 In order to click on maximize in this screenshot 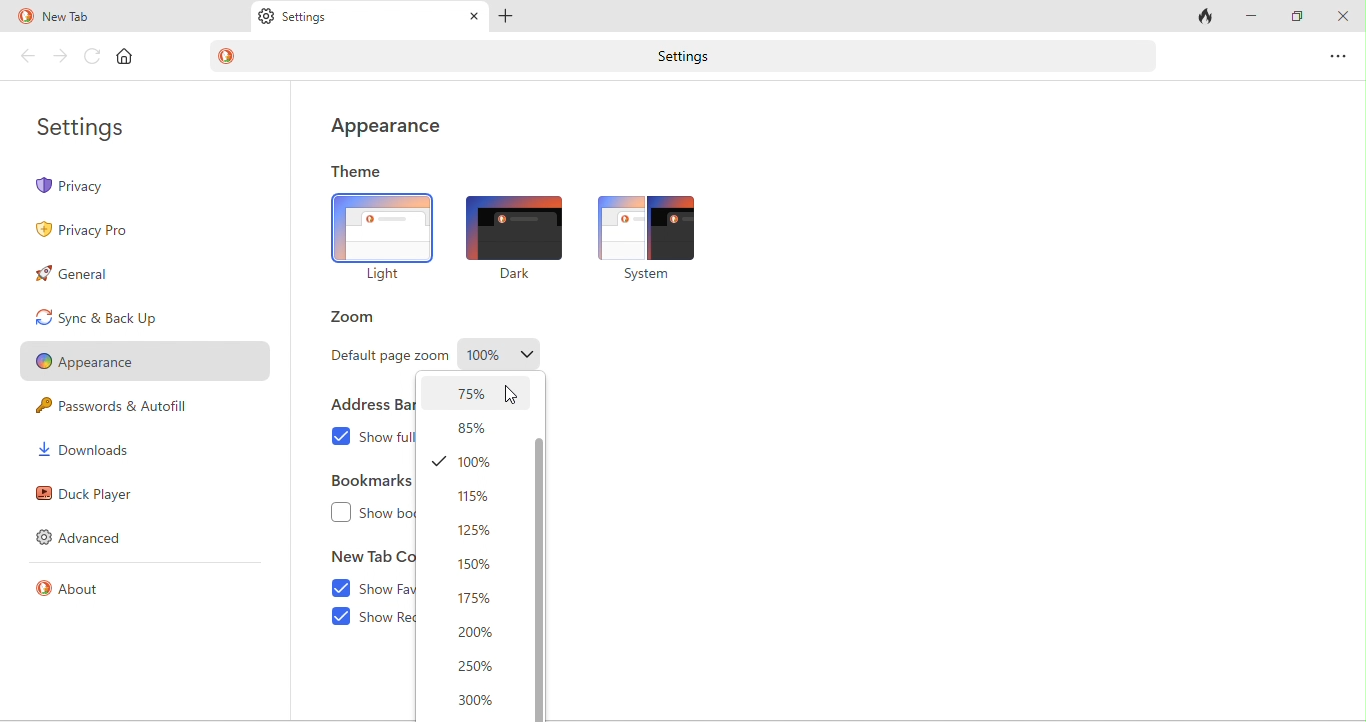, I will do `click(1296, 16)`.